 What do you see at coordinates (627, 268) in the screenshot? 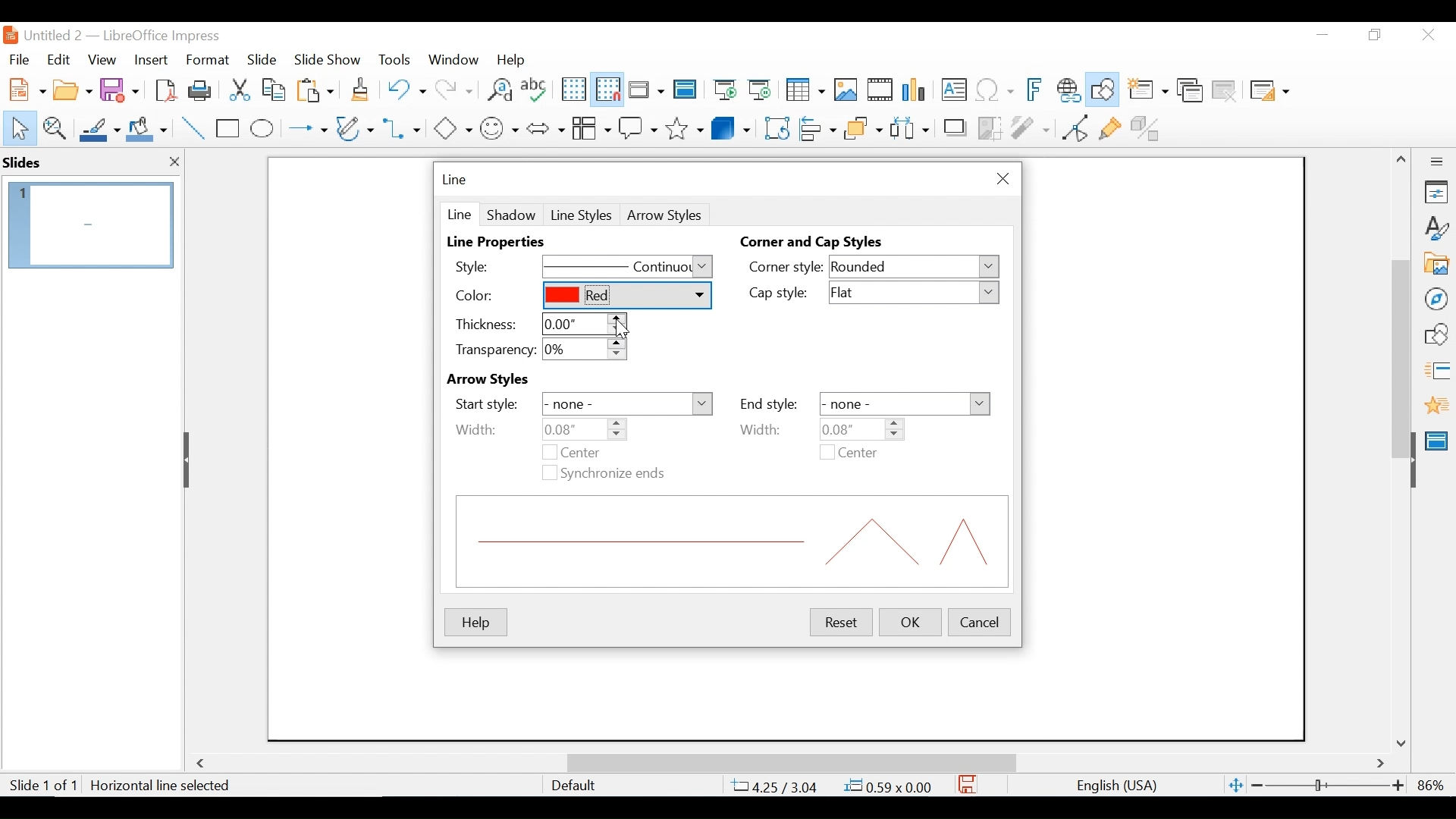
I see `Continous` at bounding box center [627, 268].